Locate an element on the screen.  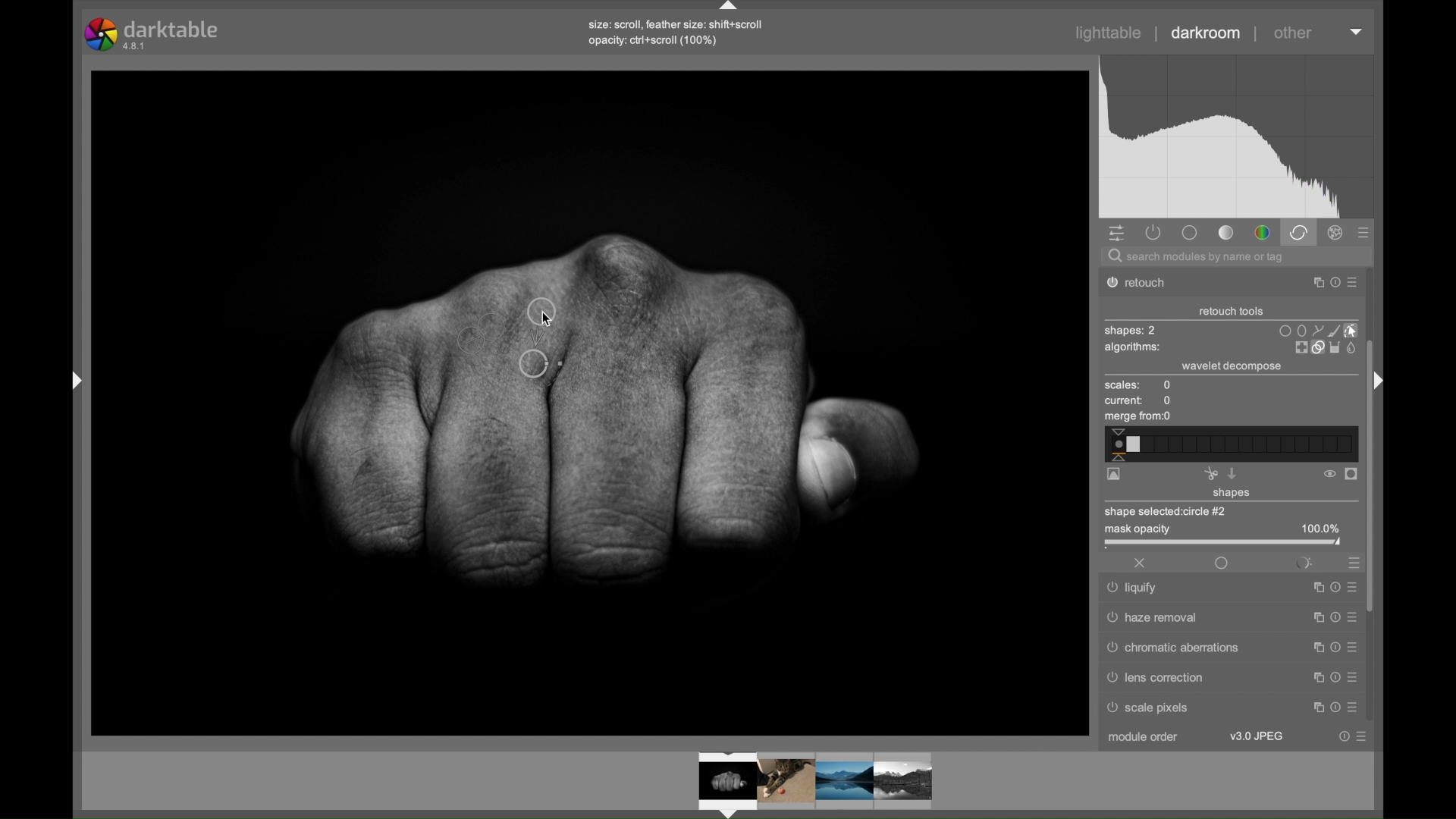
drag handle is located at coordinates (71, 379).